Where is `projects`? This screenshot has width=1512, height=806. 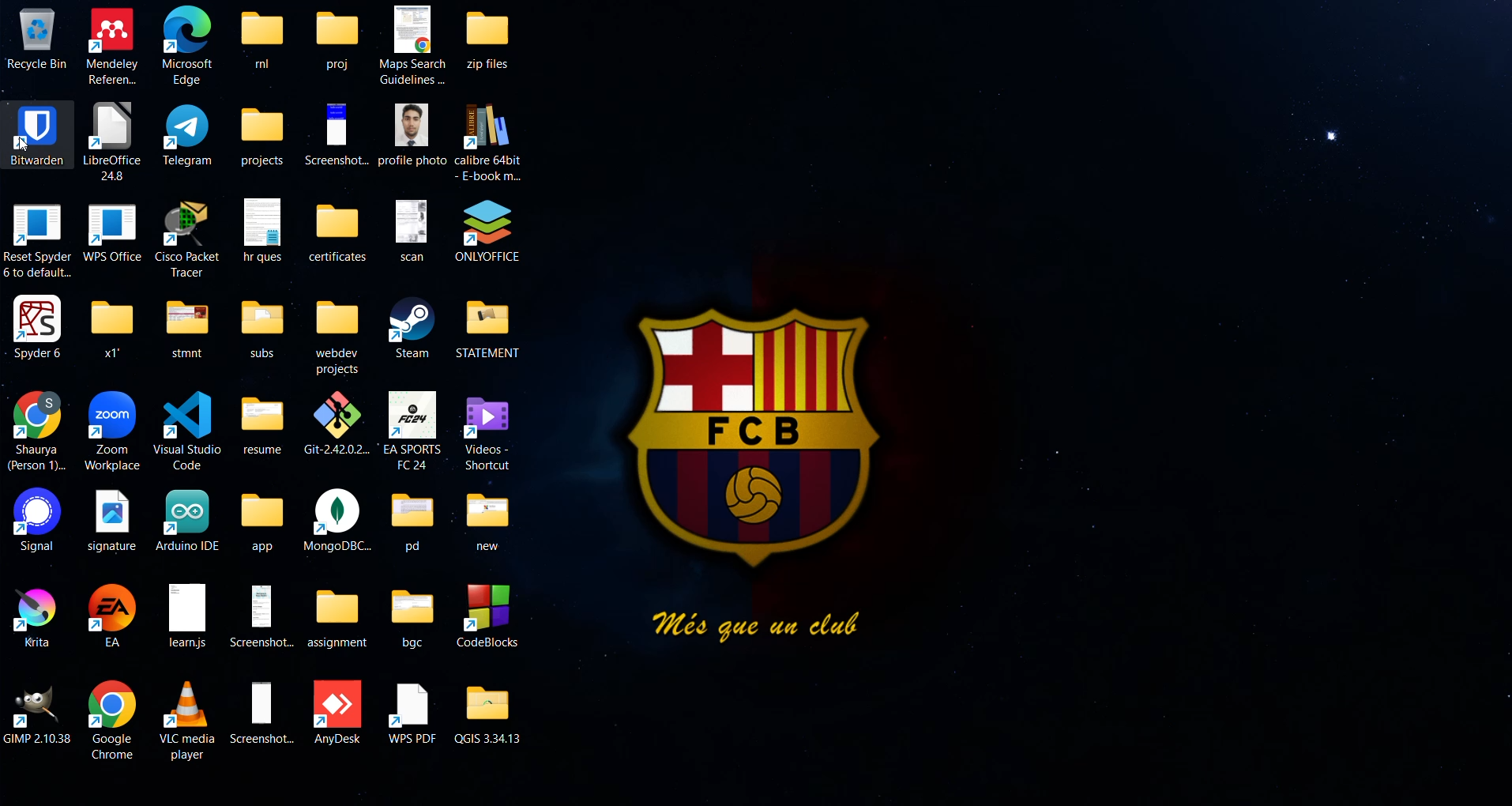 projects is located at coordinates (262, 137).